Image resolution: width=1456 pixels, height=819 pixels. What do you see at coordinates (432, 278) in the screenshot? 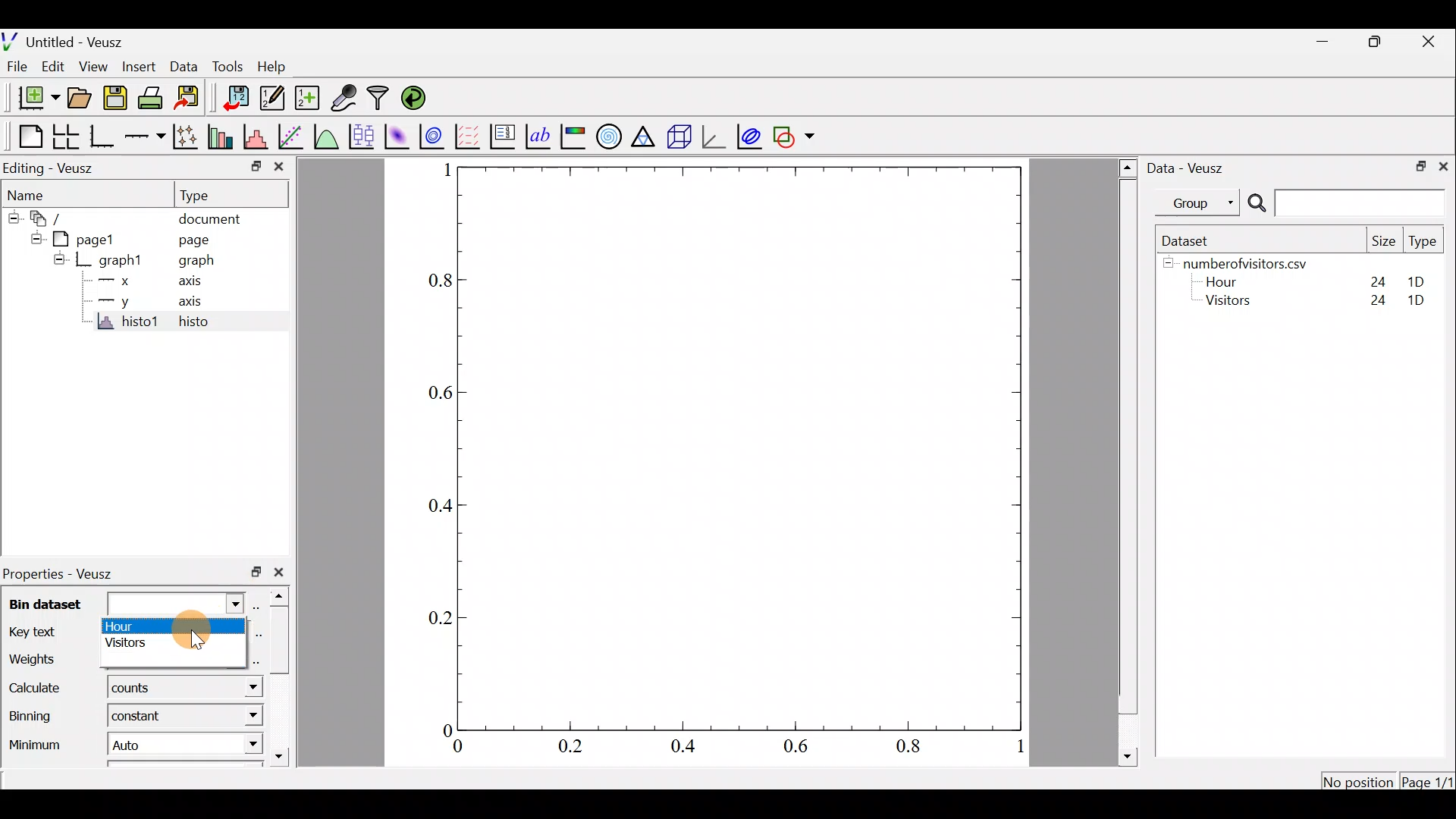
I see `0.8` at bounding box center [432, 278].